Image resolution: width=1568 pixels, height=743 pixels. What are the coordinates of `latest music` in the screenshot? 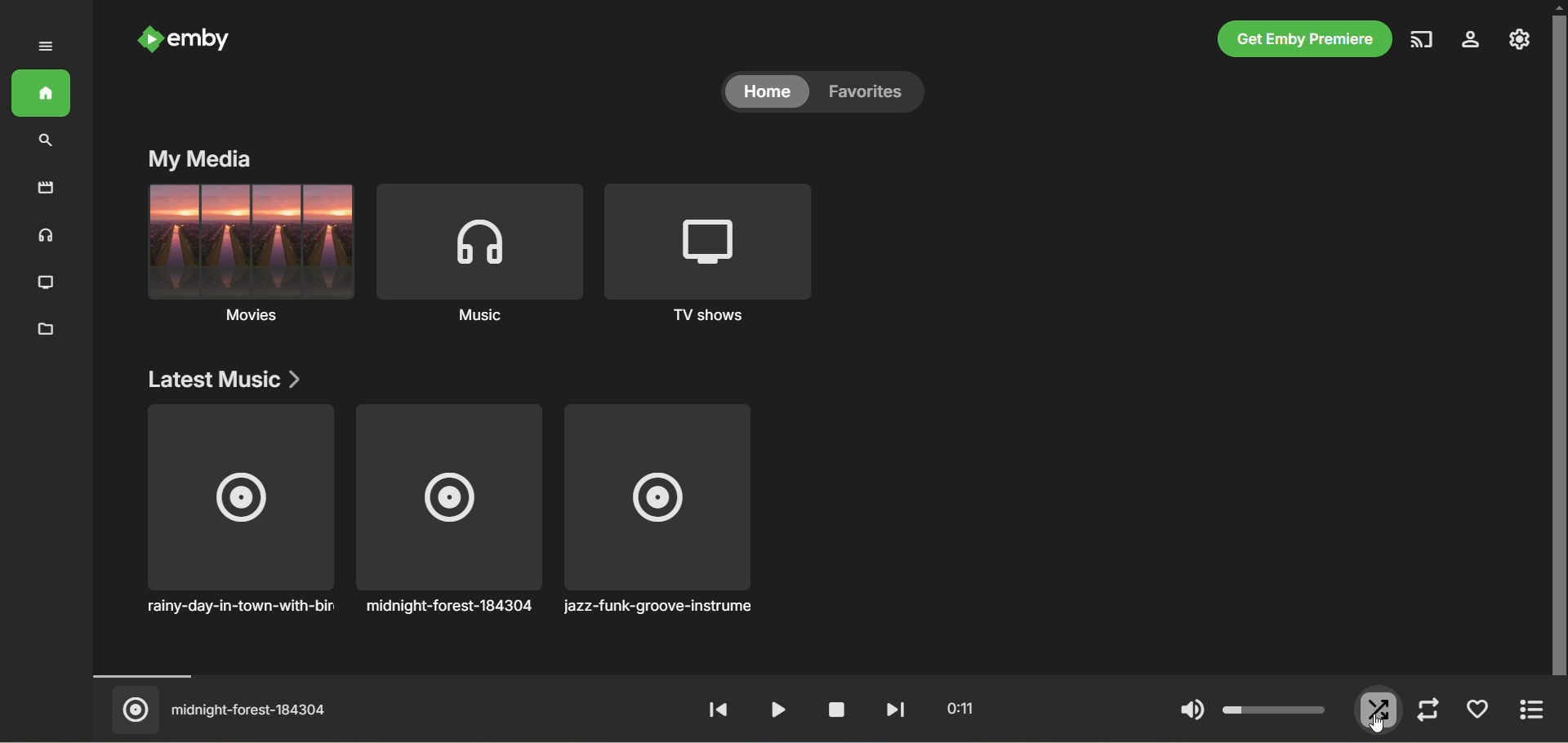 It's located at (229, 380).